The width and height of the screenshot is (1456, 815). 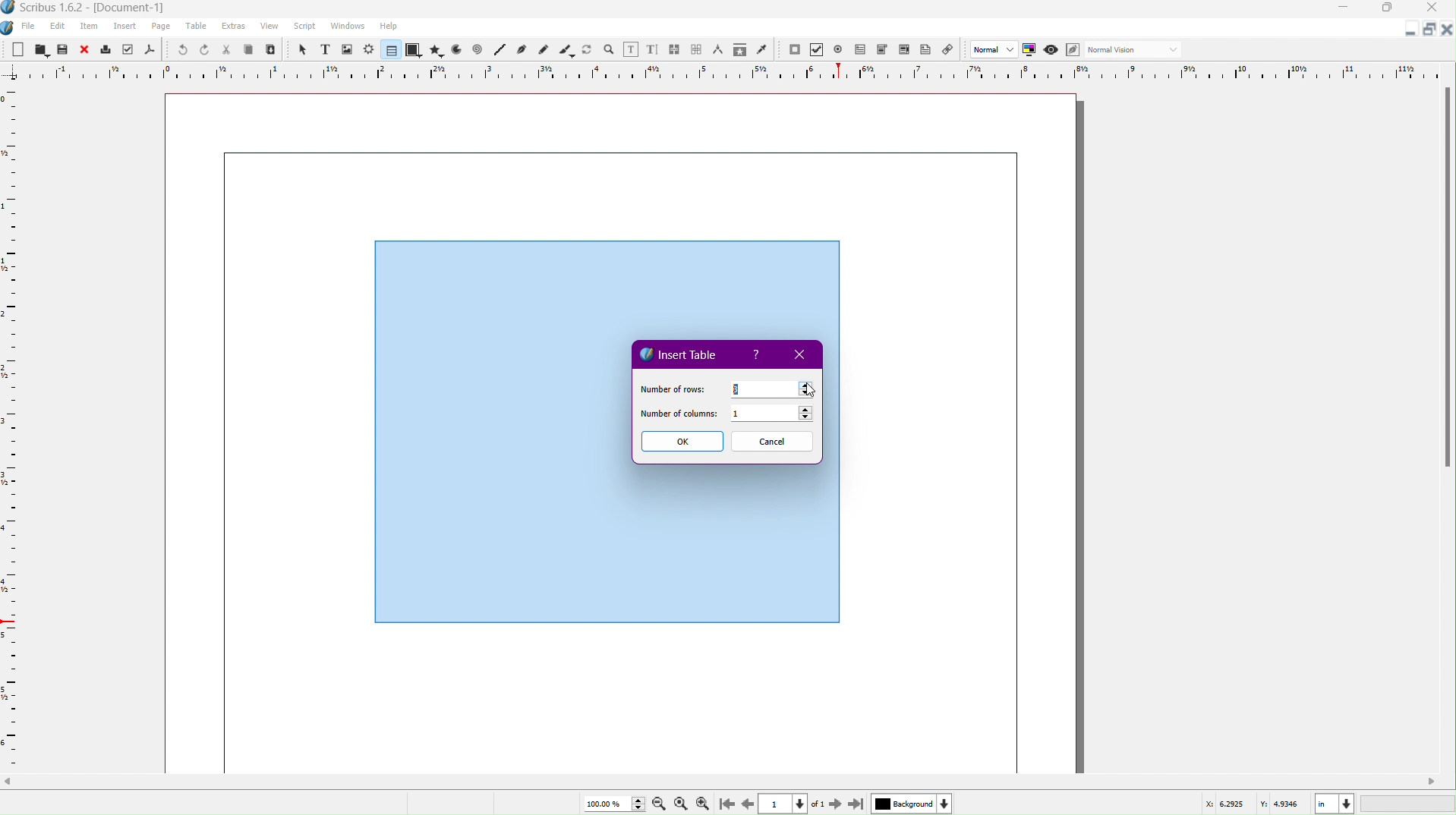 I want to click on New, so click(x=19, y=49).